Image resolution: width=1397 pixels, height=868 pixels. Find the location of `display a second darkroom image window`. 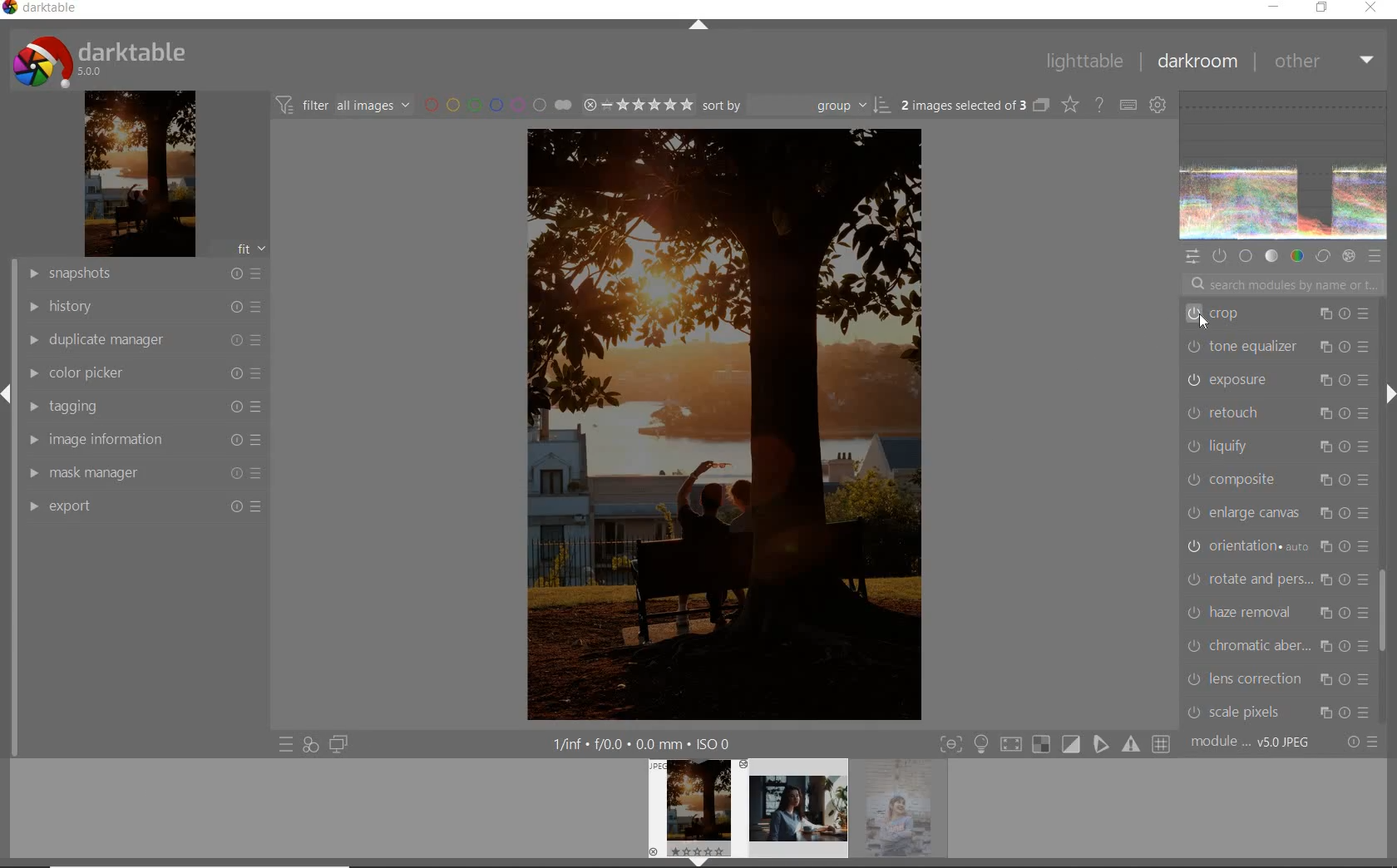

display a second darkroom image window is located at coordinates (338, 746).